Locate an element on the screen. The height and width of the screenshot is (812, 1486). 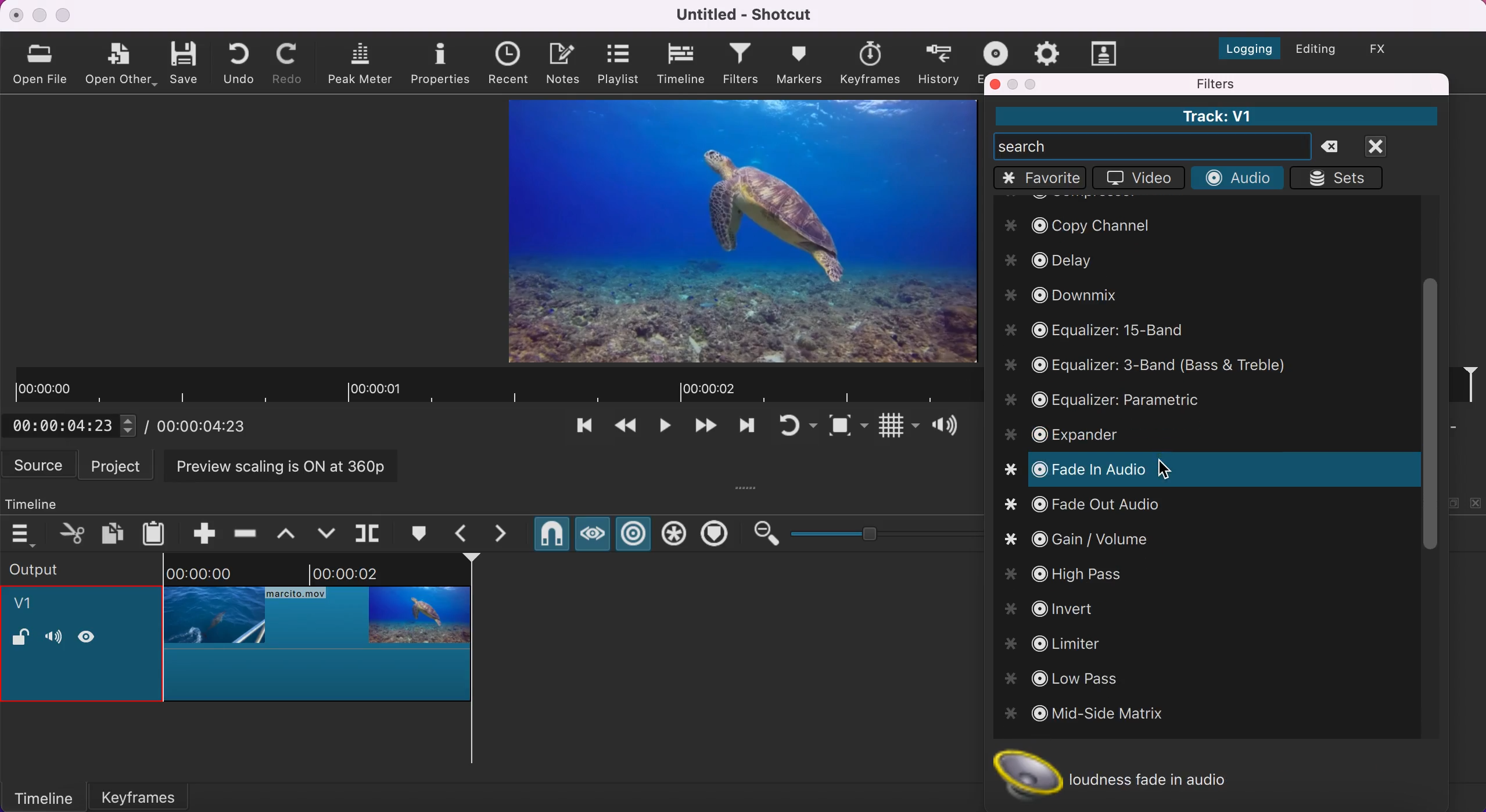
output is located at coordinates (65, 568).